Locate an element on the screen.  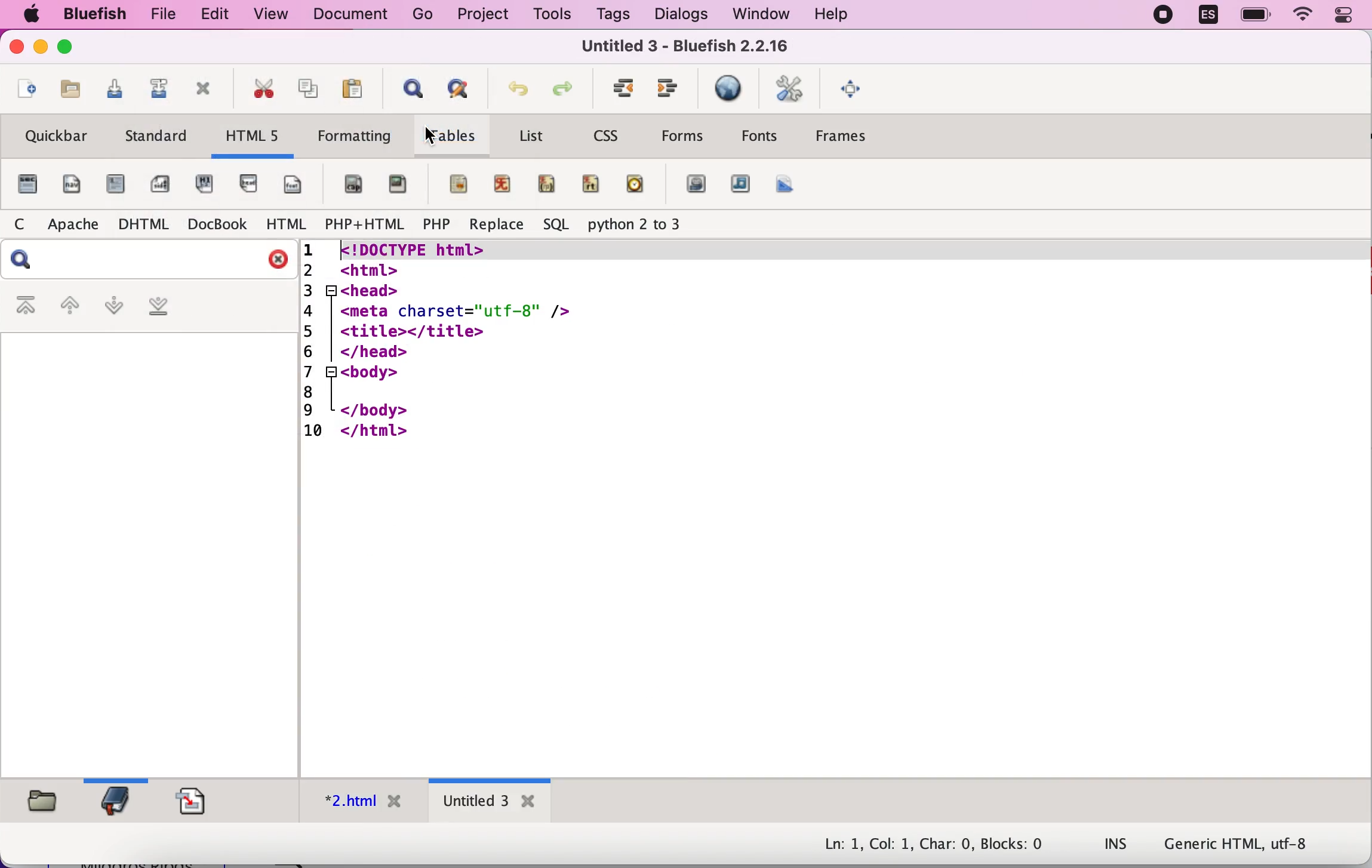
copy is located at coordinates (304, 88).